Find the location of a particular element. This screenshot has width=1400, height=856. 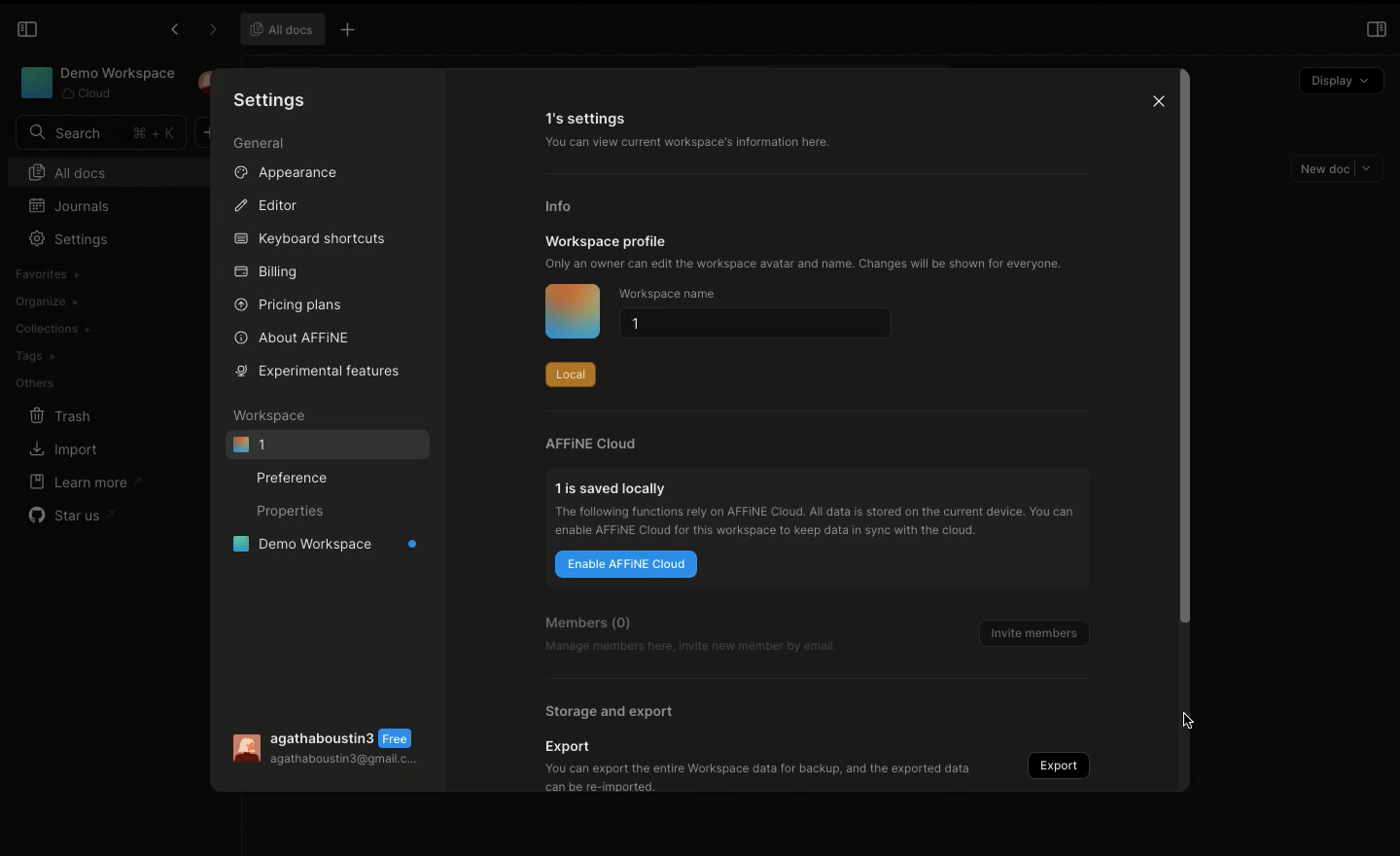

Members (0) is located at coordinates (585, 624).